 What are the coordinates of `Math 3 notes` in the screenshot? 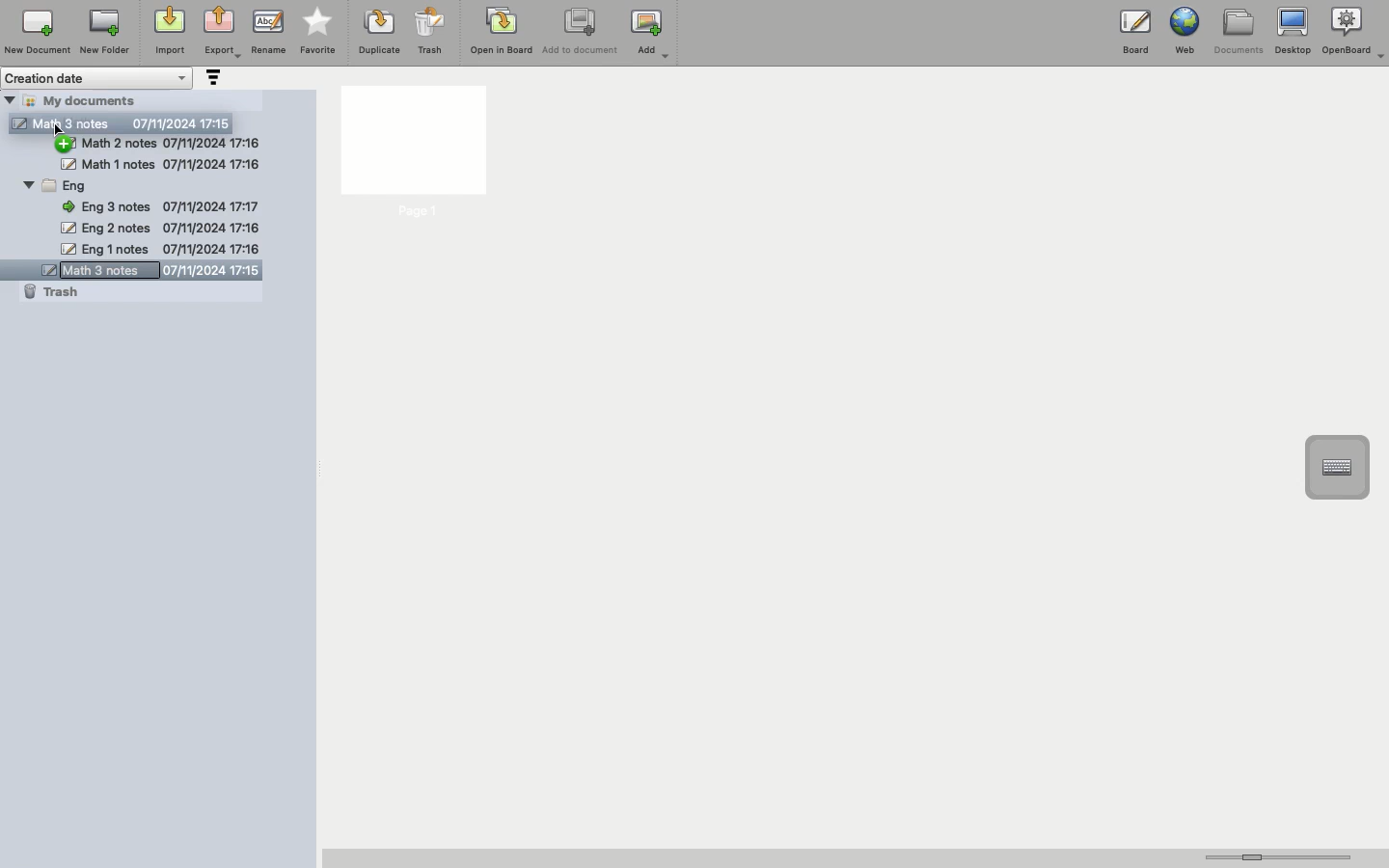 It's located at (140, 272).